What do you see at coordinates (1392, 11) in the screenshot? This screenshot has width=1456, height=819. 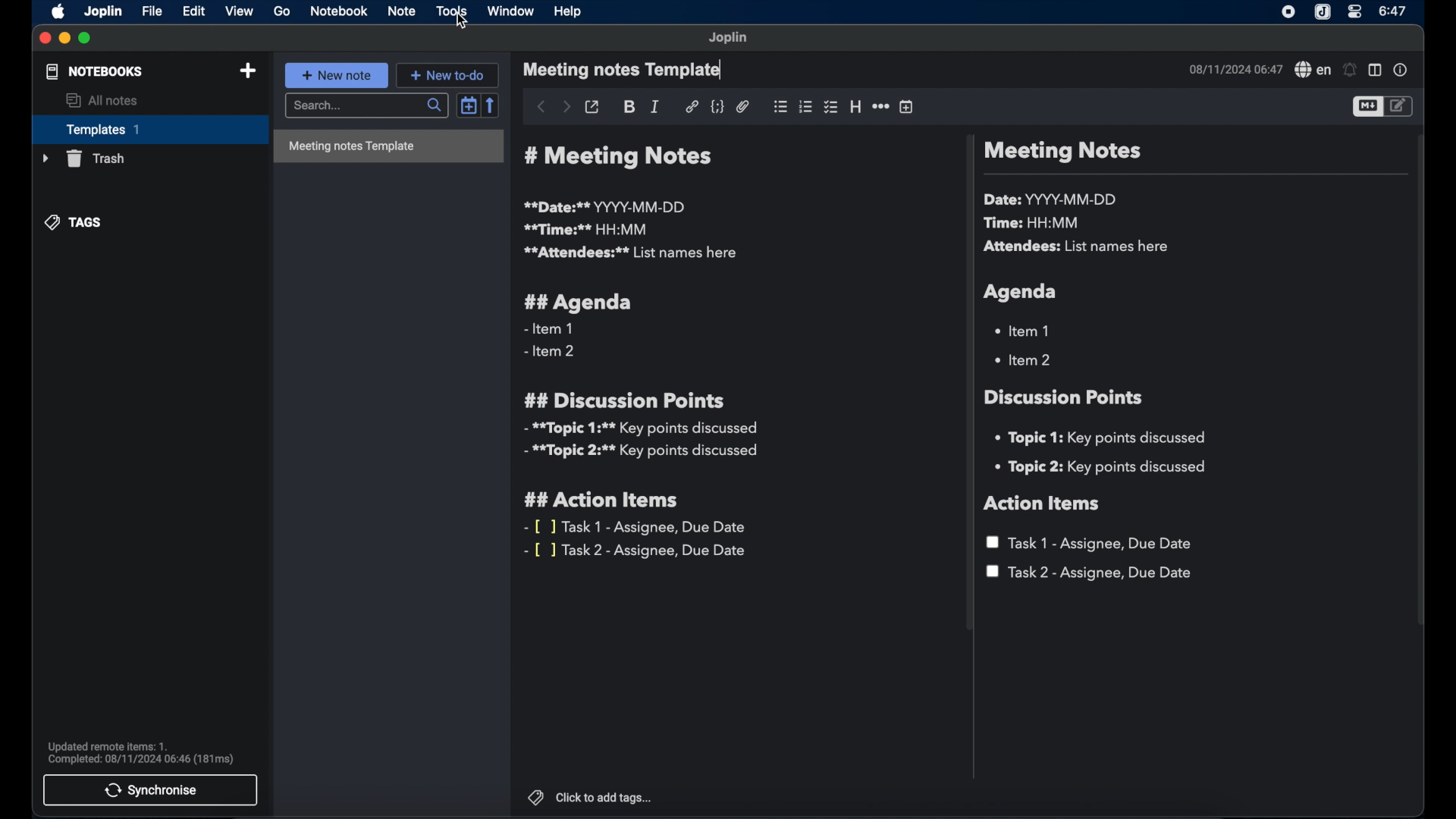 I see `6:47 ` at bounding box center [1392, 11].